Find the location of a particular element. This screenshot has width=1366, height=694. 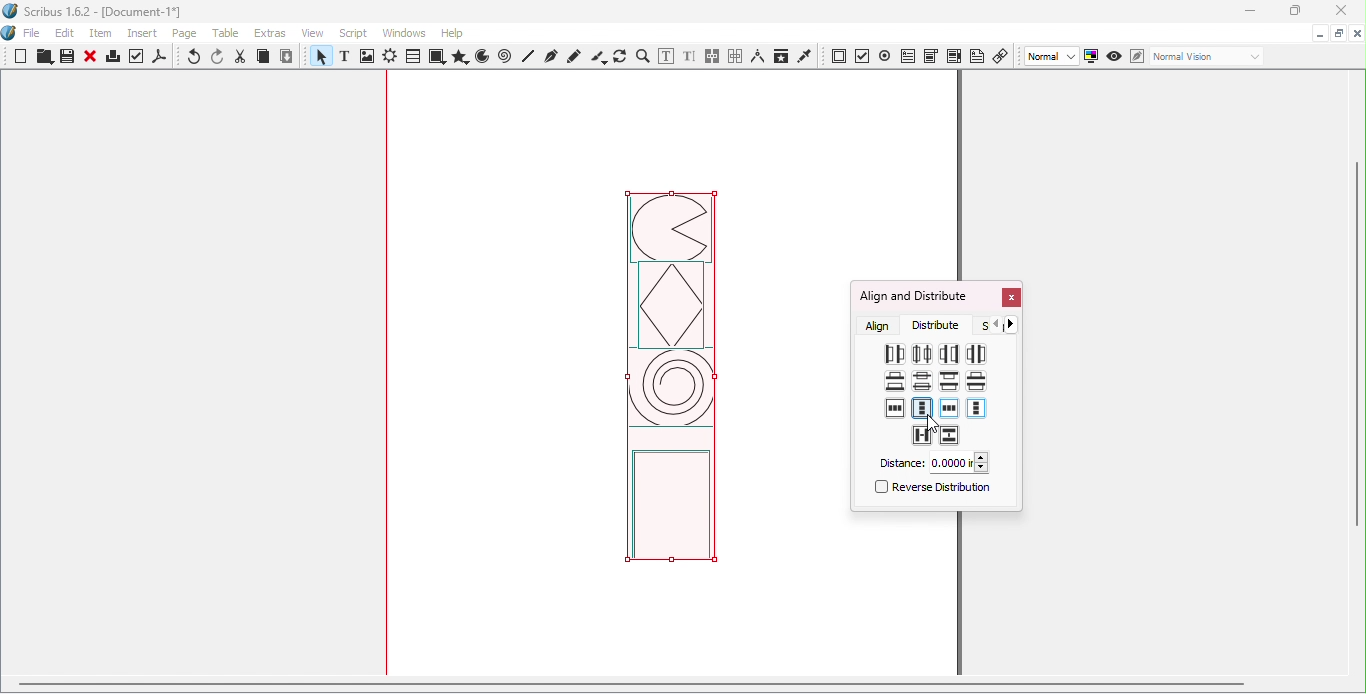

Spiral is located at coordinates (507, 57).